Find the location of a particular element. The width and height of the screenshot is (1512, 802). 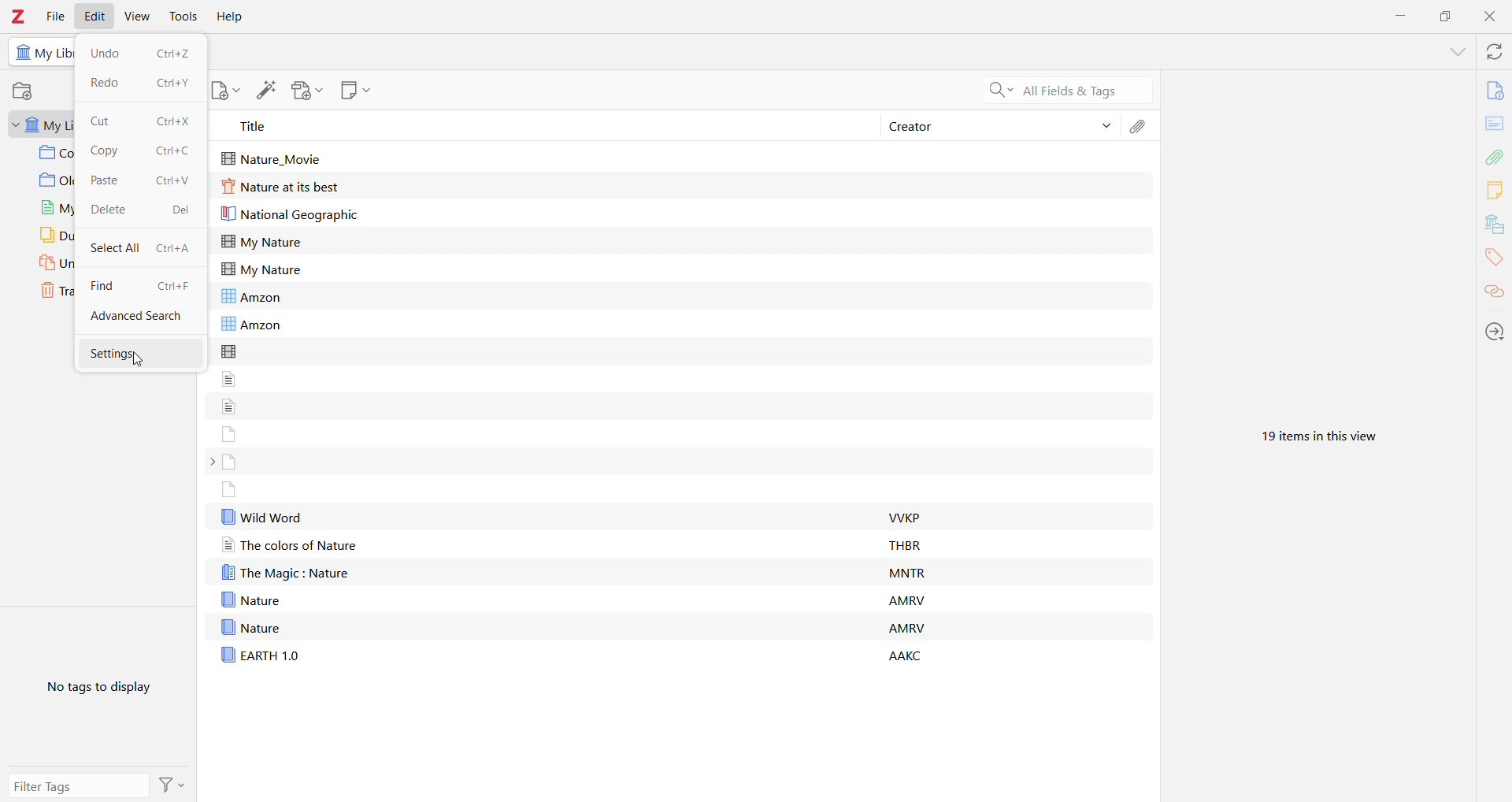

Minimize is located at coordinates (1402, 17).